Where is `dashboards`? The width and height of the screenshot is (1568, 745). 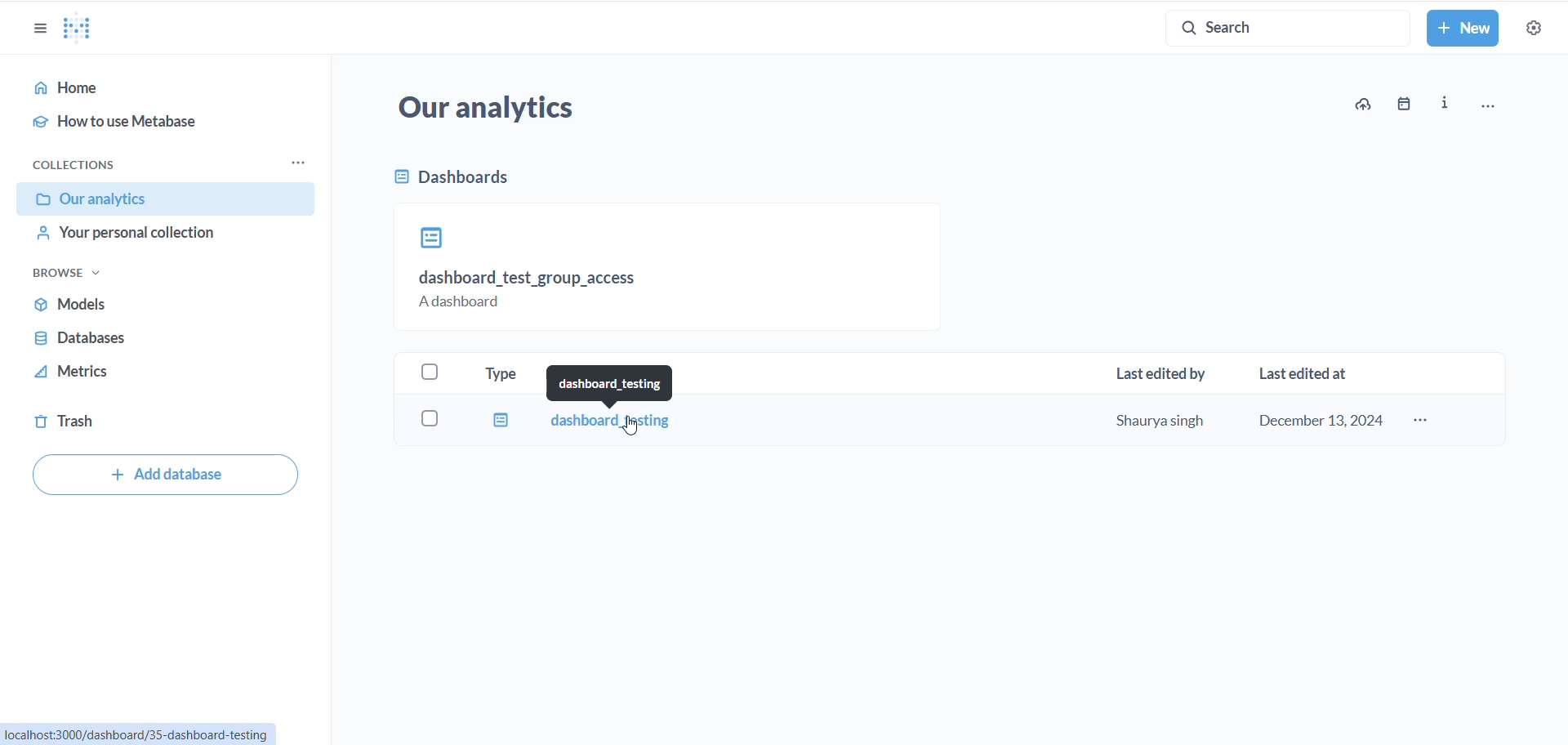
dashboards is located at coordinates (502, 183).